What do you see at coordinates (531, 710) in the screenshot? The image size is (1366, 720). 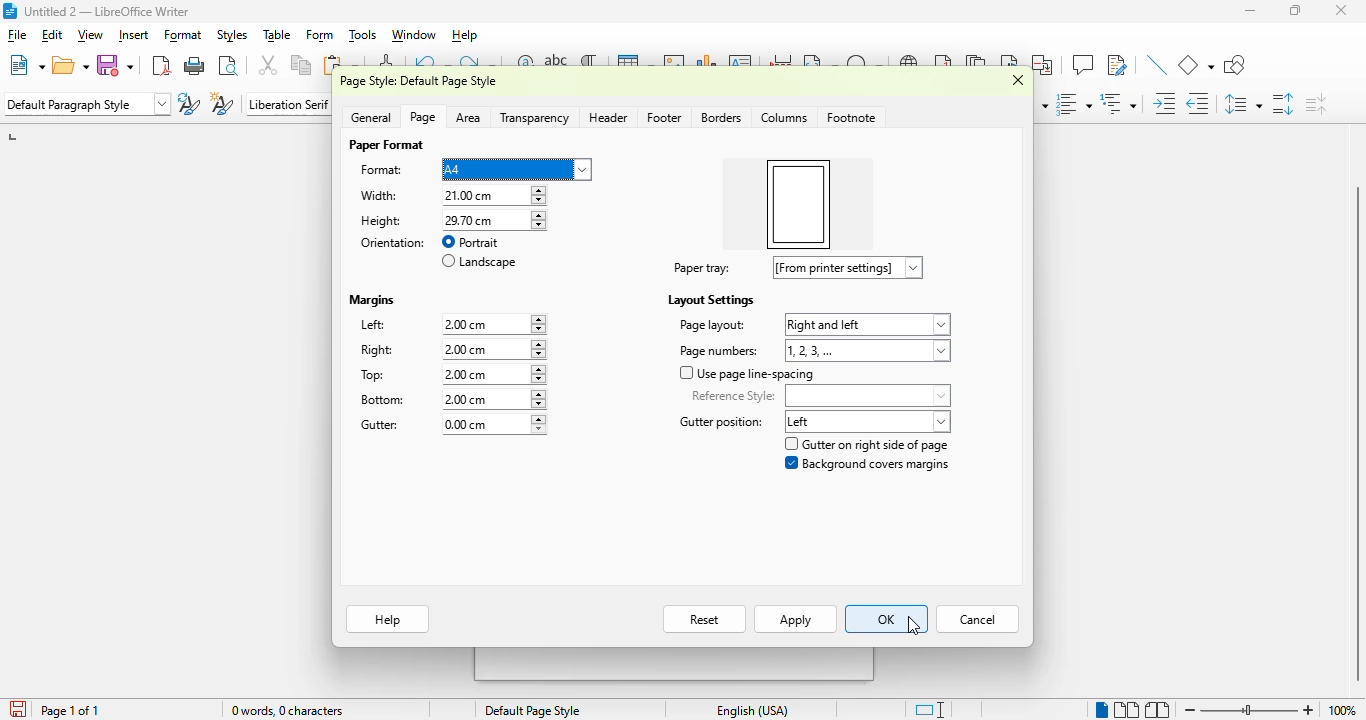 I see `page style` at bounding box center [531, 710].